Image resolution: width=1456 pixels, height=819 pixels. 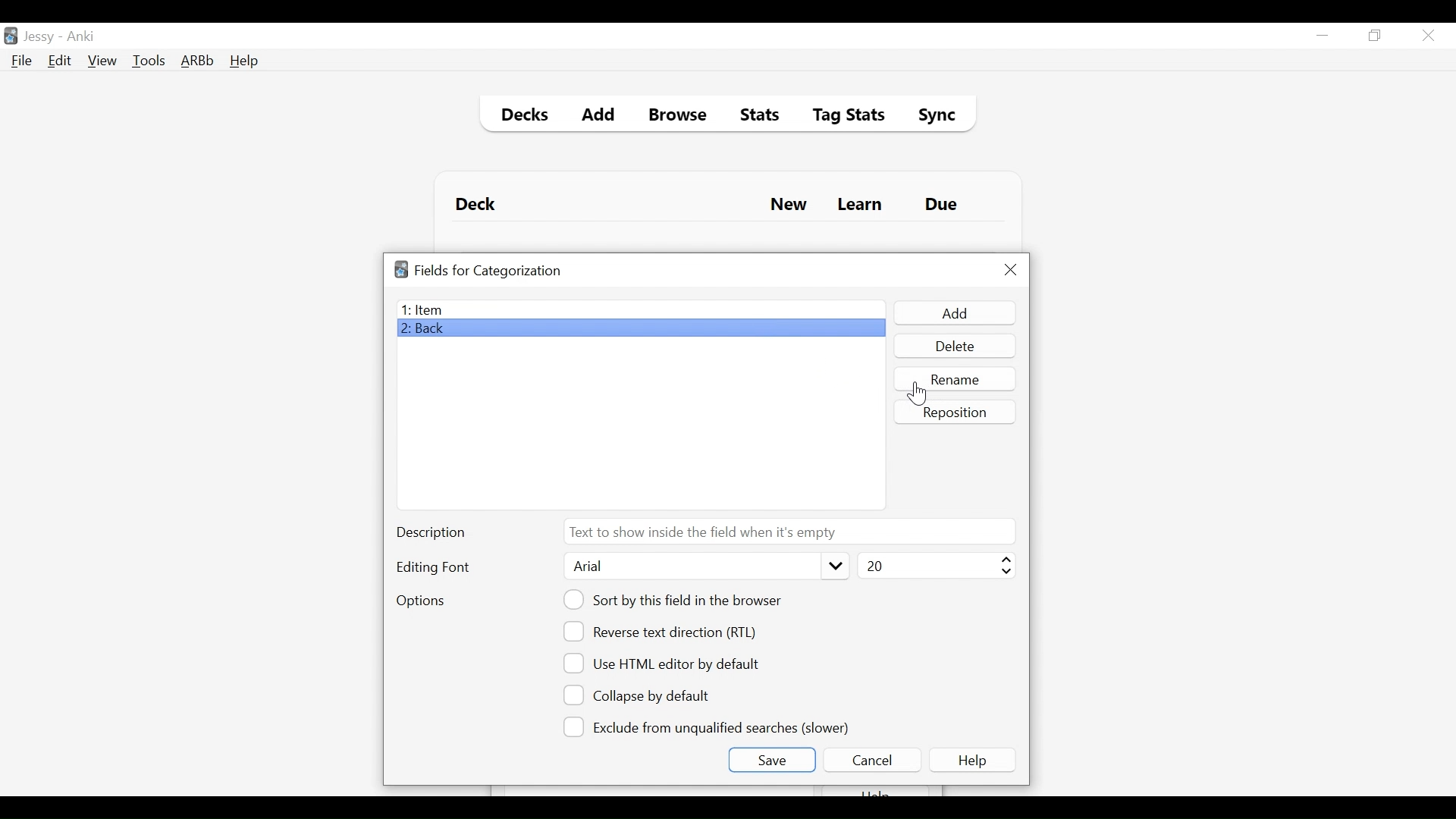 I want to click on File, so click(x=22, y=62).